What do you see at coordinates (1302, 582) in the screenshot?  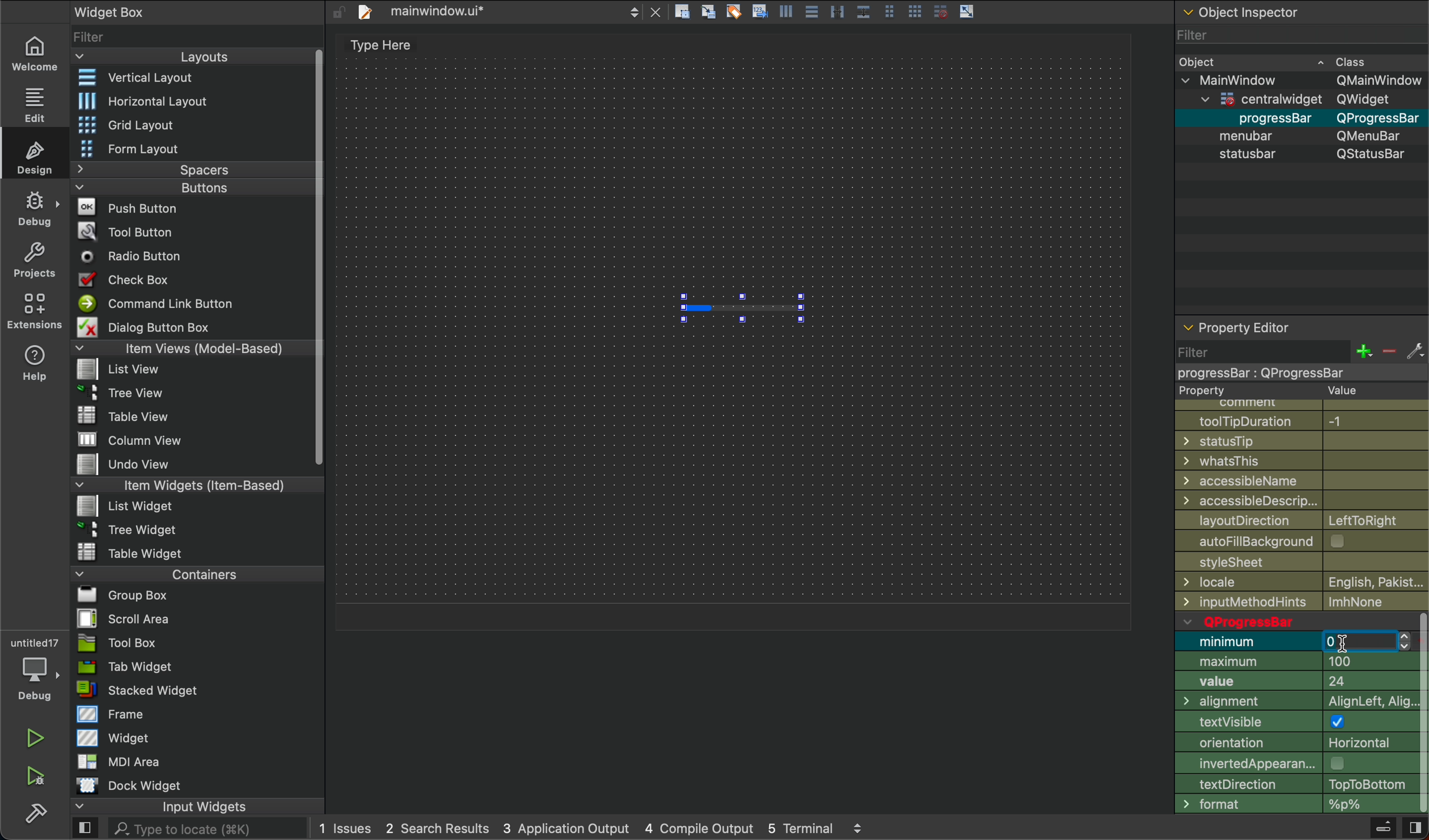 I see `locale` at bounding box center [1302, 582].